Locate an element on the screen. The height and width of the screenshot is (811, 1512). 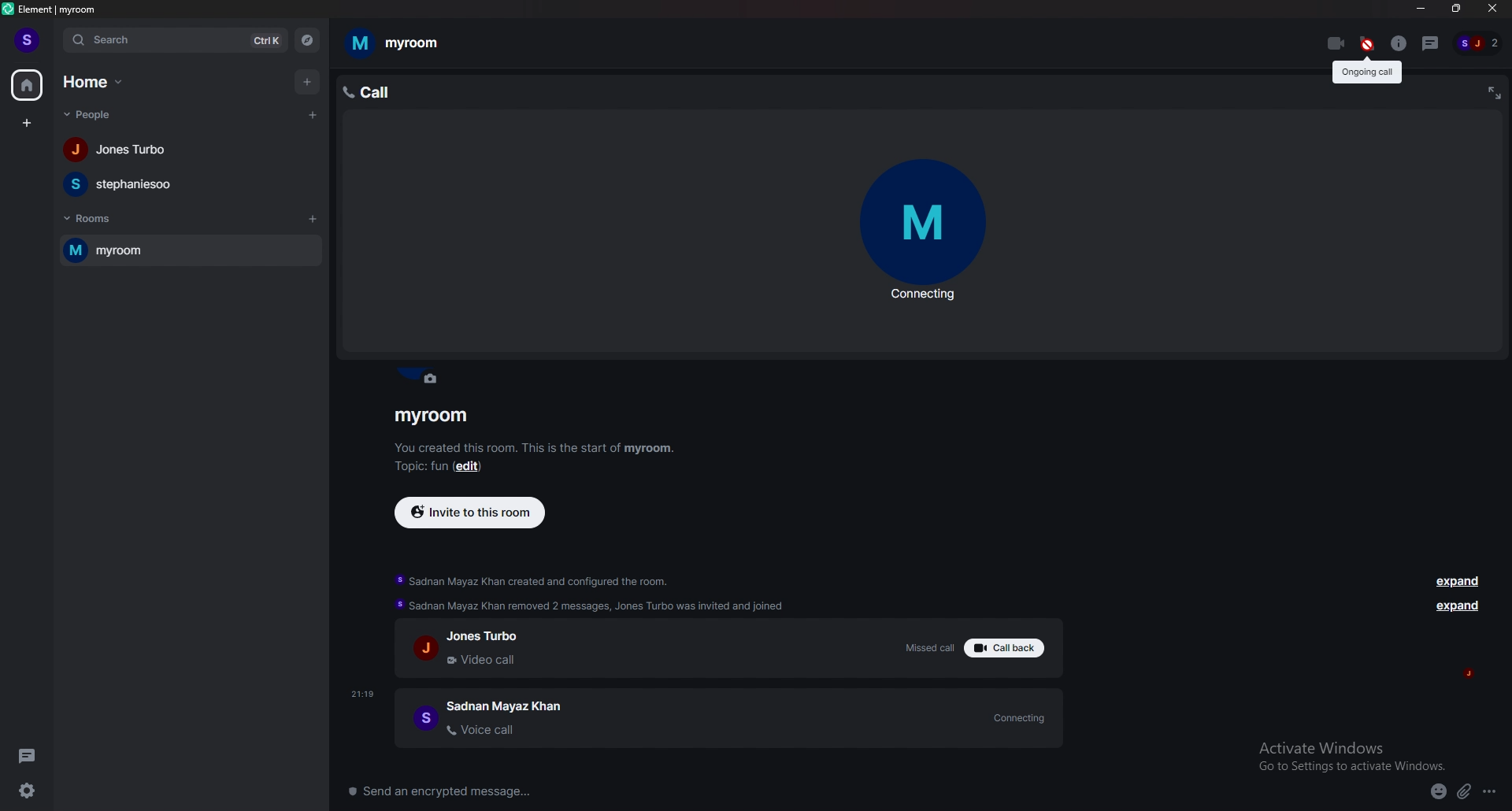
create a space is located at coordinates (26, 124).